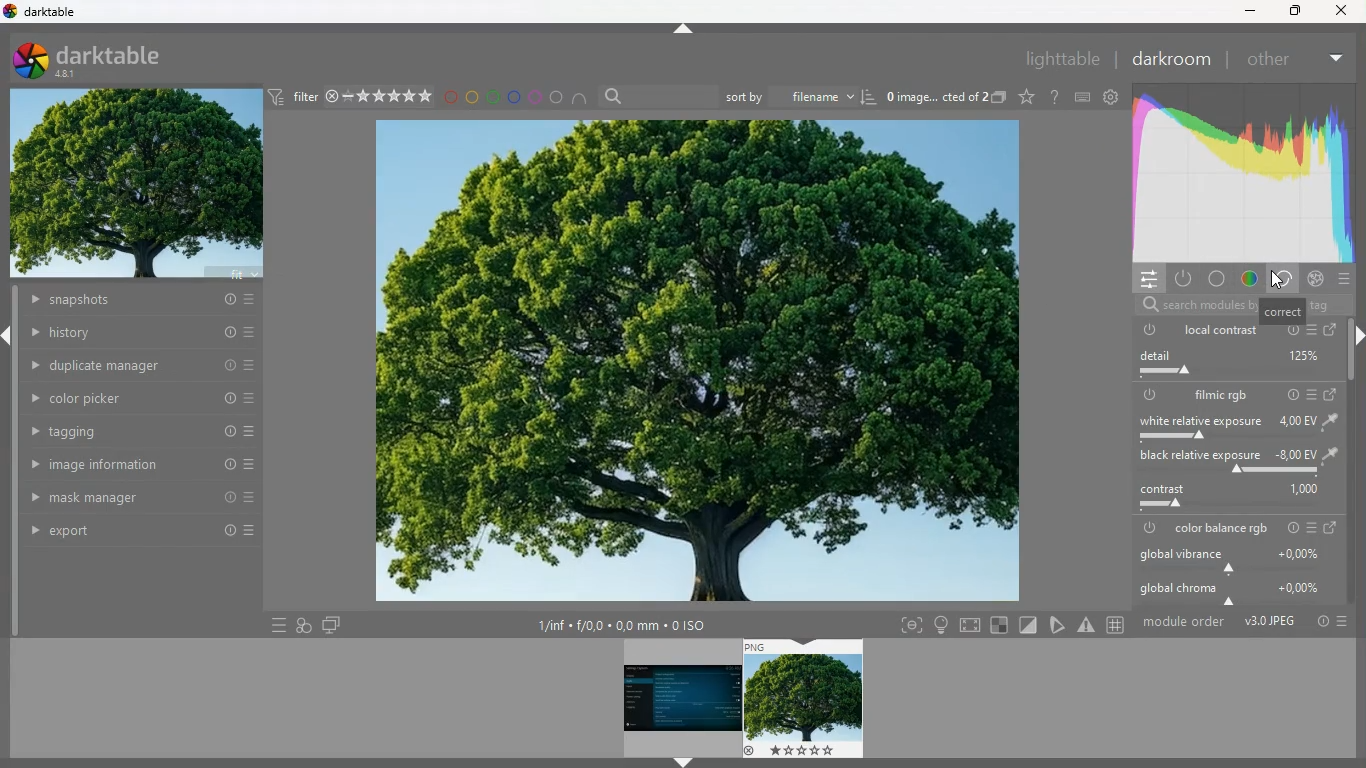  I want to click on duplicate manager, so click(147, 365).